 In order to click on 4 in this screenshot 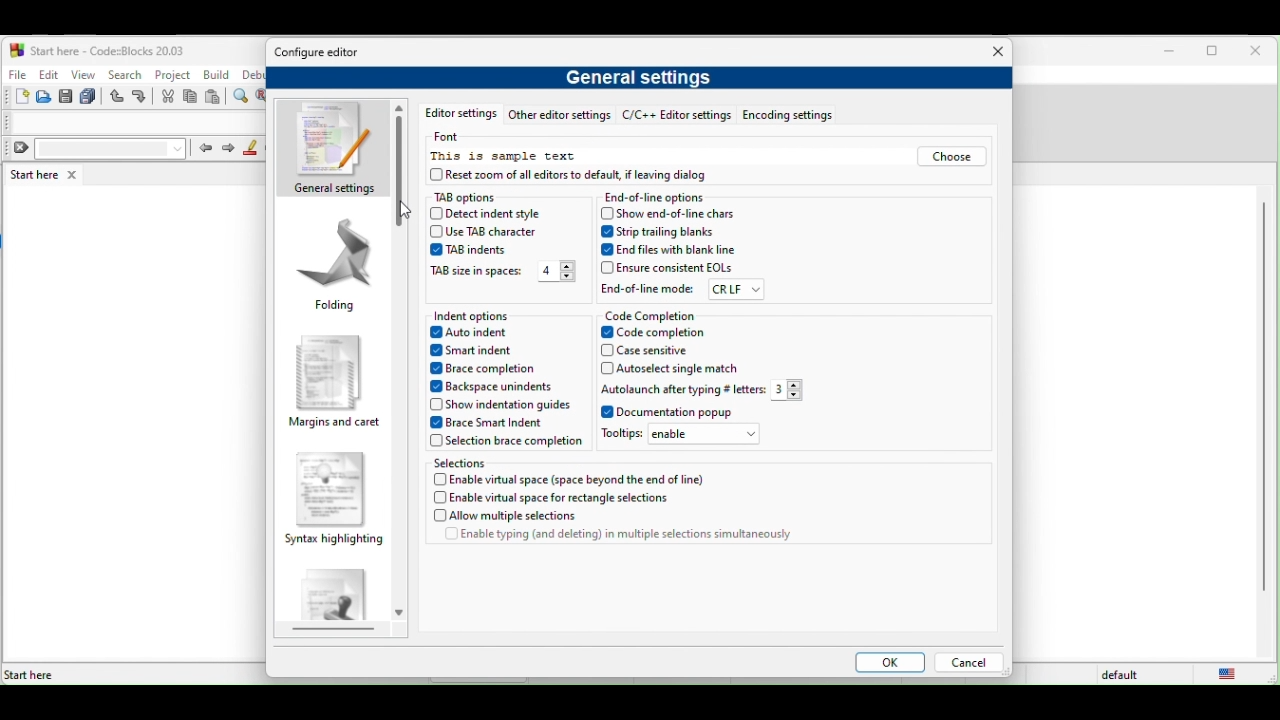, I will do `click(556, 272)`.